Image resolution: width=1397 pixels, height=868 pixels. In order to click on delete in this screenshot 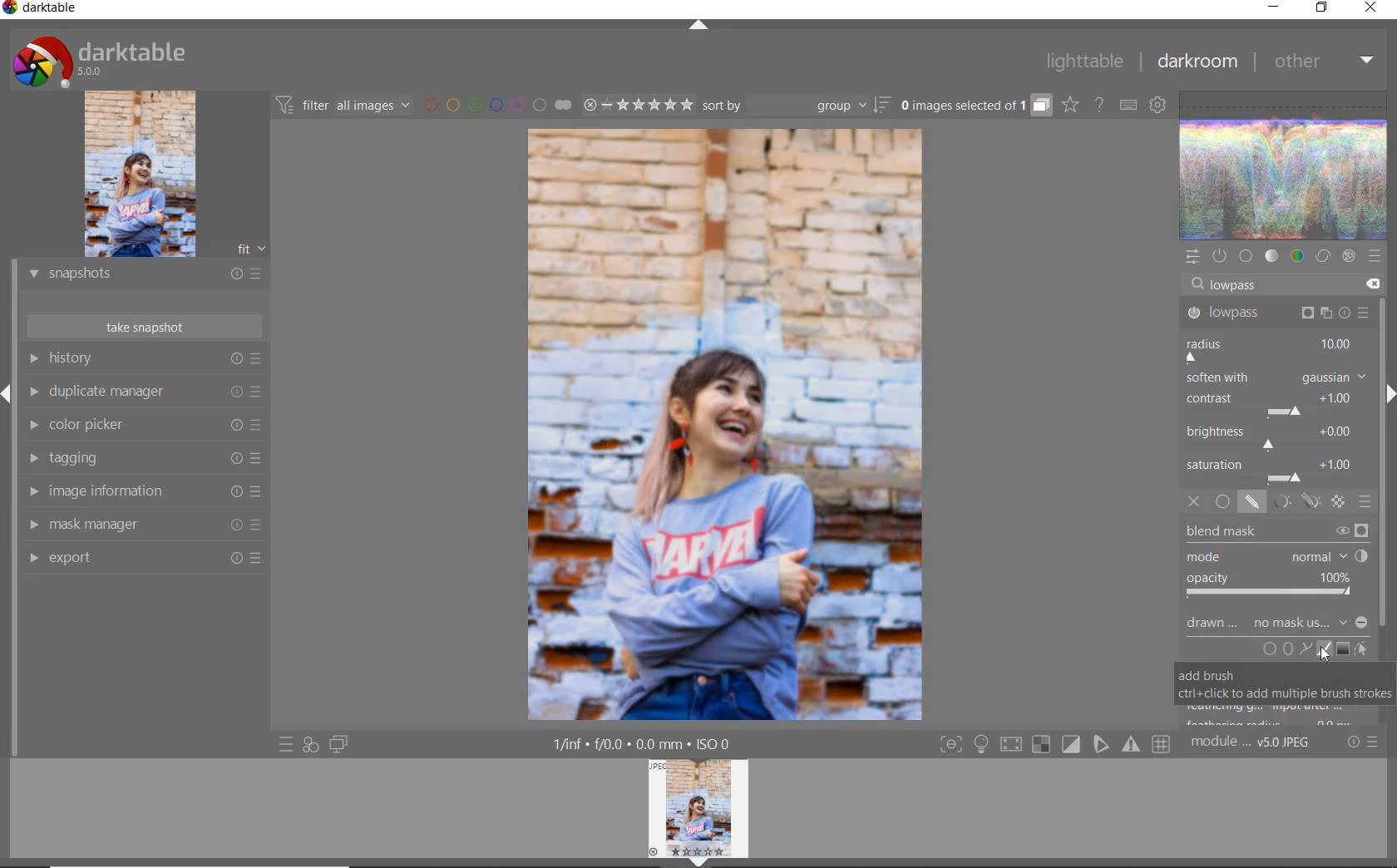, I will do `click(1370, 283)`.